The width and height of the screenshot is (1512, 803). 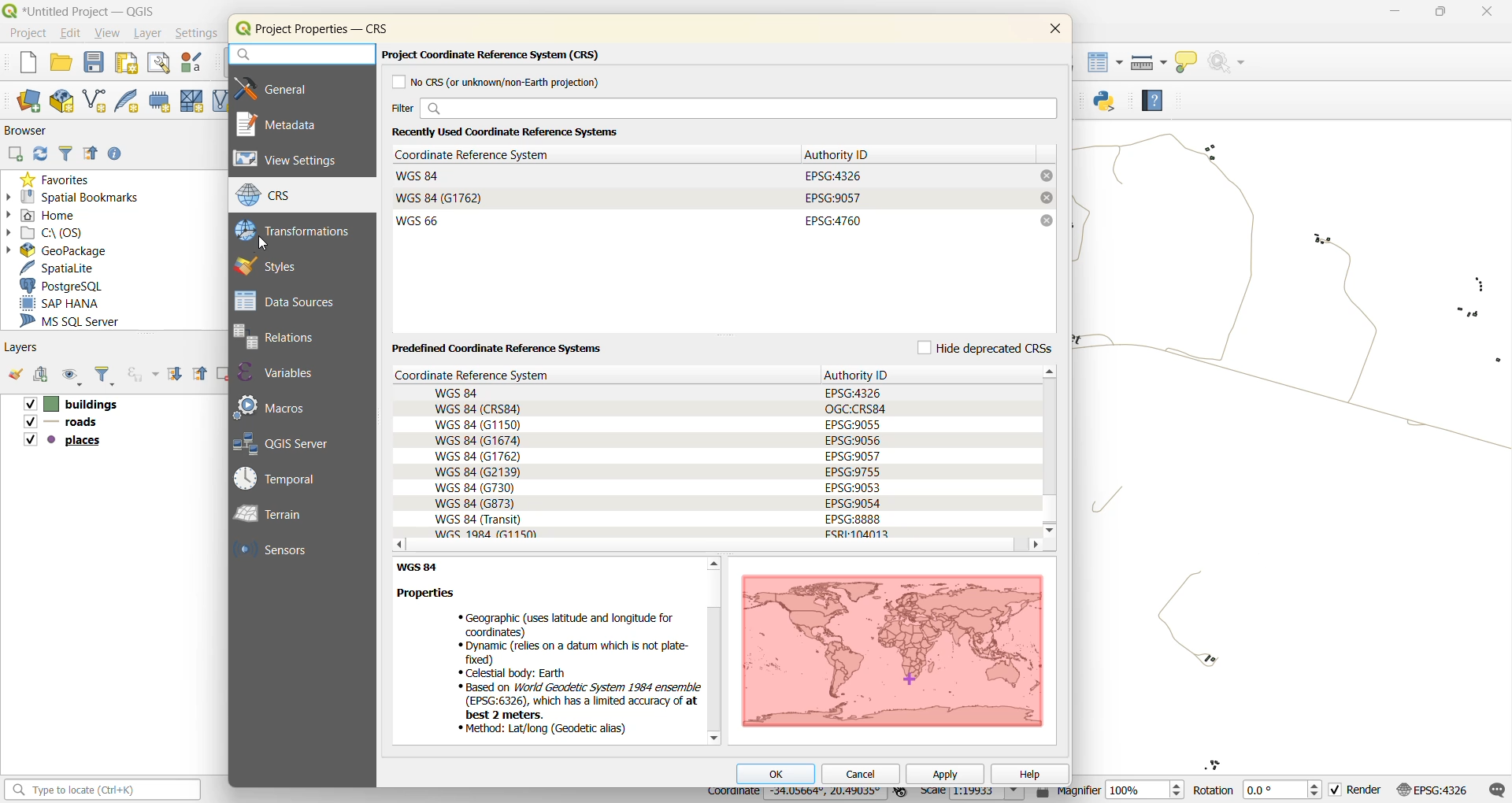 What do you see at coordinates (476, 487) in the screenshot?
I see `WGS 84 (G730)` at bounding box center [476, 487].